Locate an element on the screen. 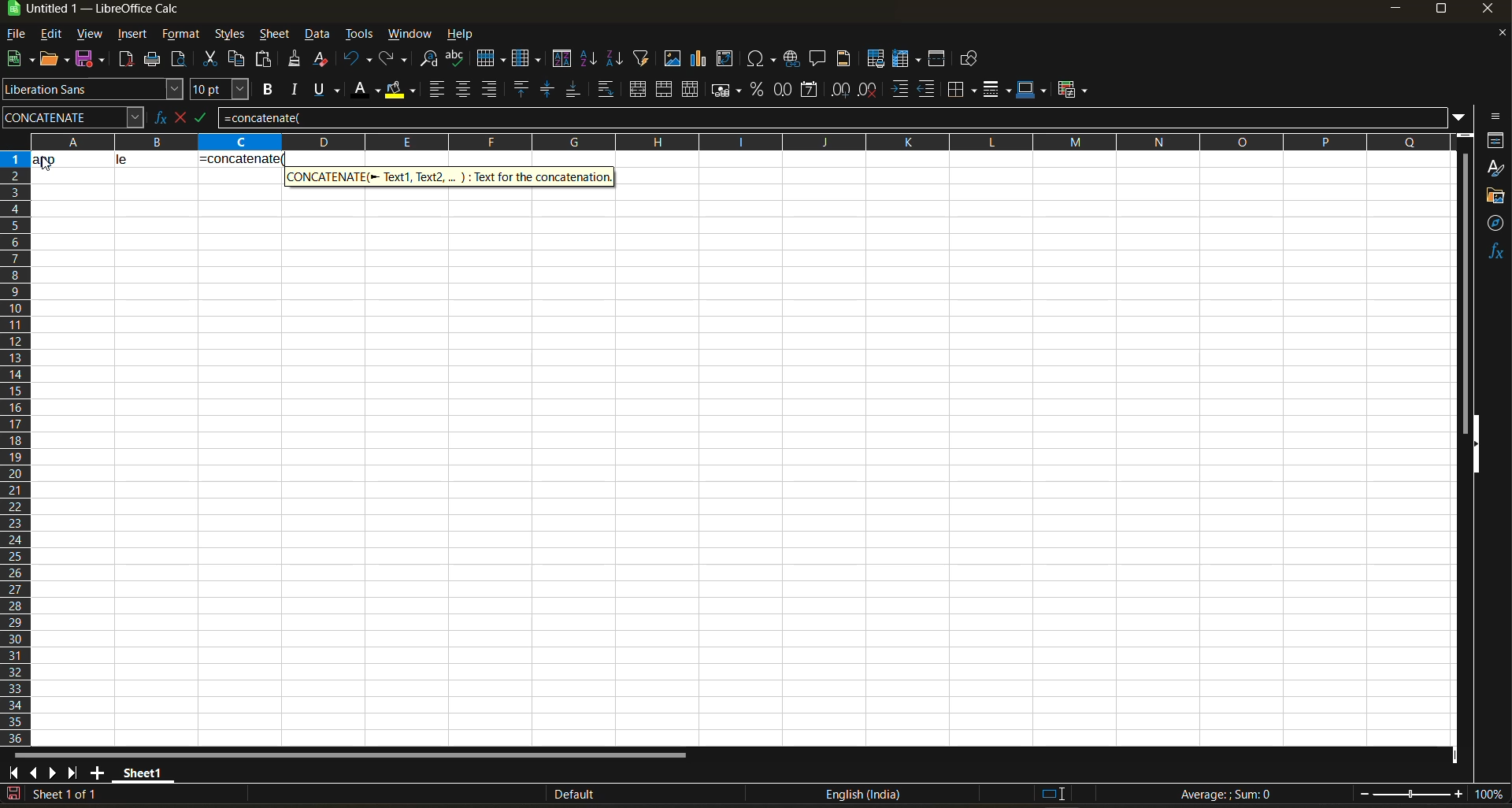  close is located at coordinates (1492, 12).